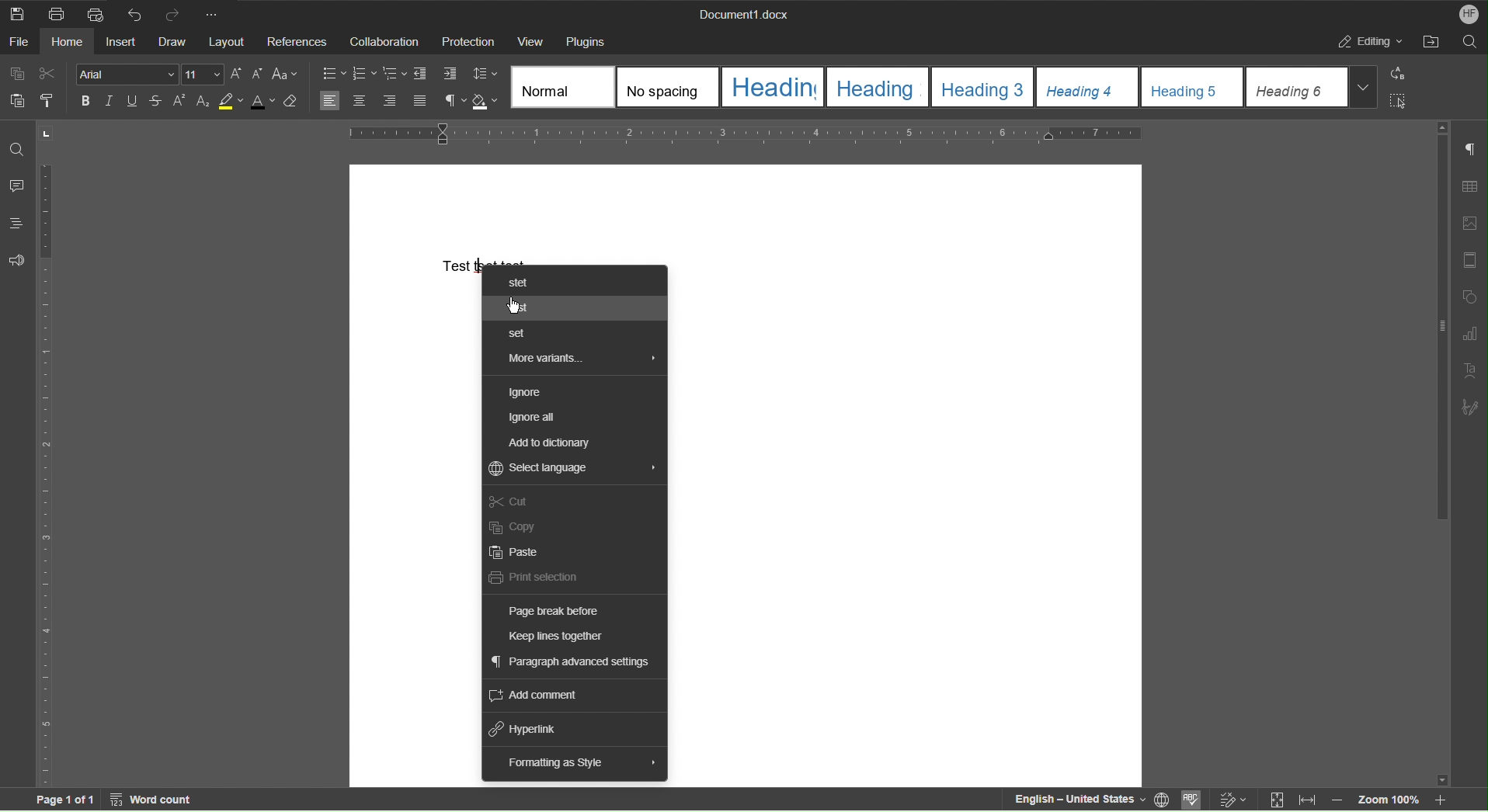  What do you see at coordinates (48, 75) in the screenshot?
I see `Cut` at bounding box center [48, 75].